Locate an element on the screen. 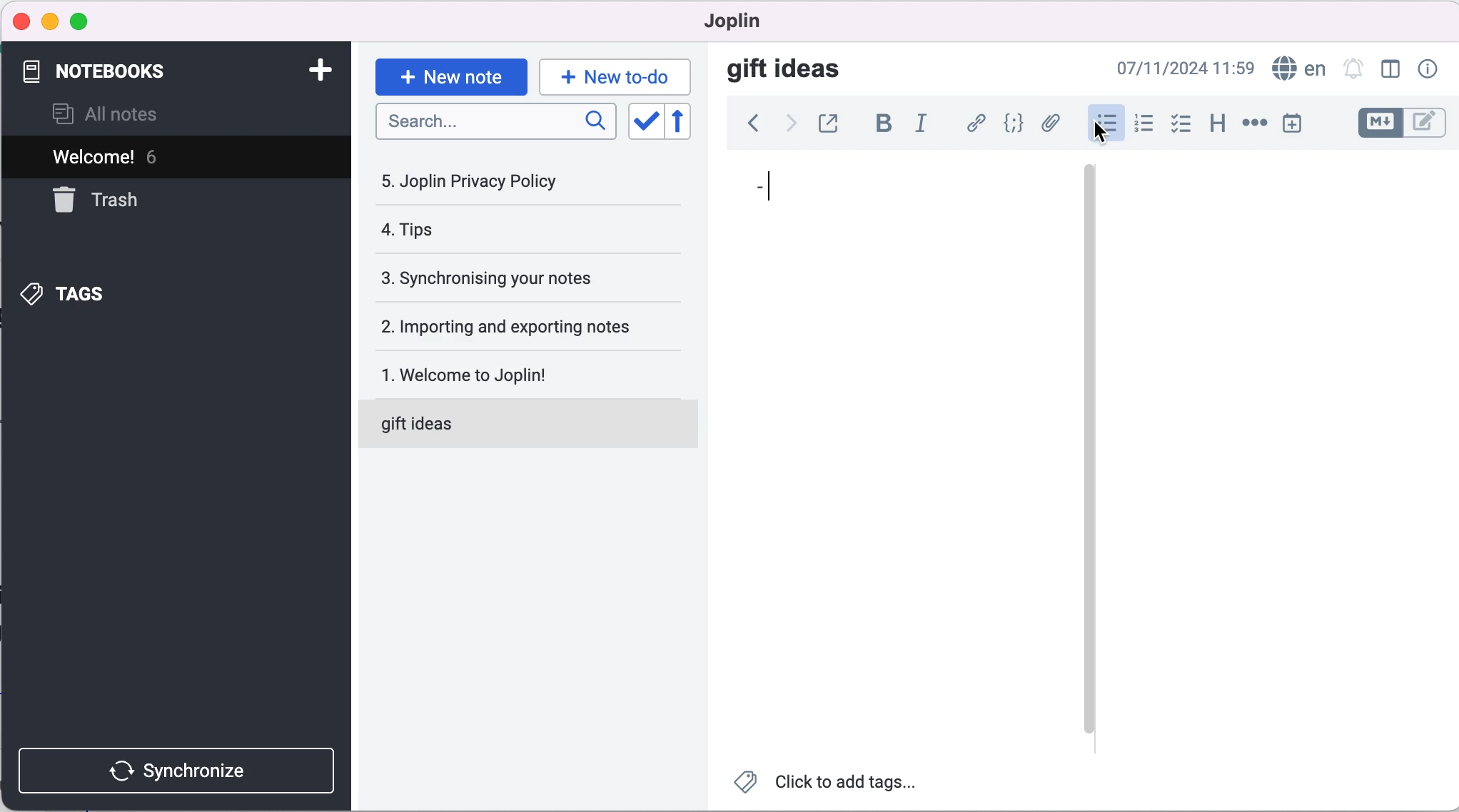 This screenshot has height=812, width=1459. joplin is located at coordinates (732, 21).